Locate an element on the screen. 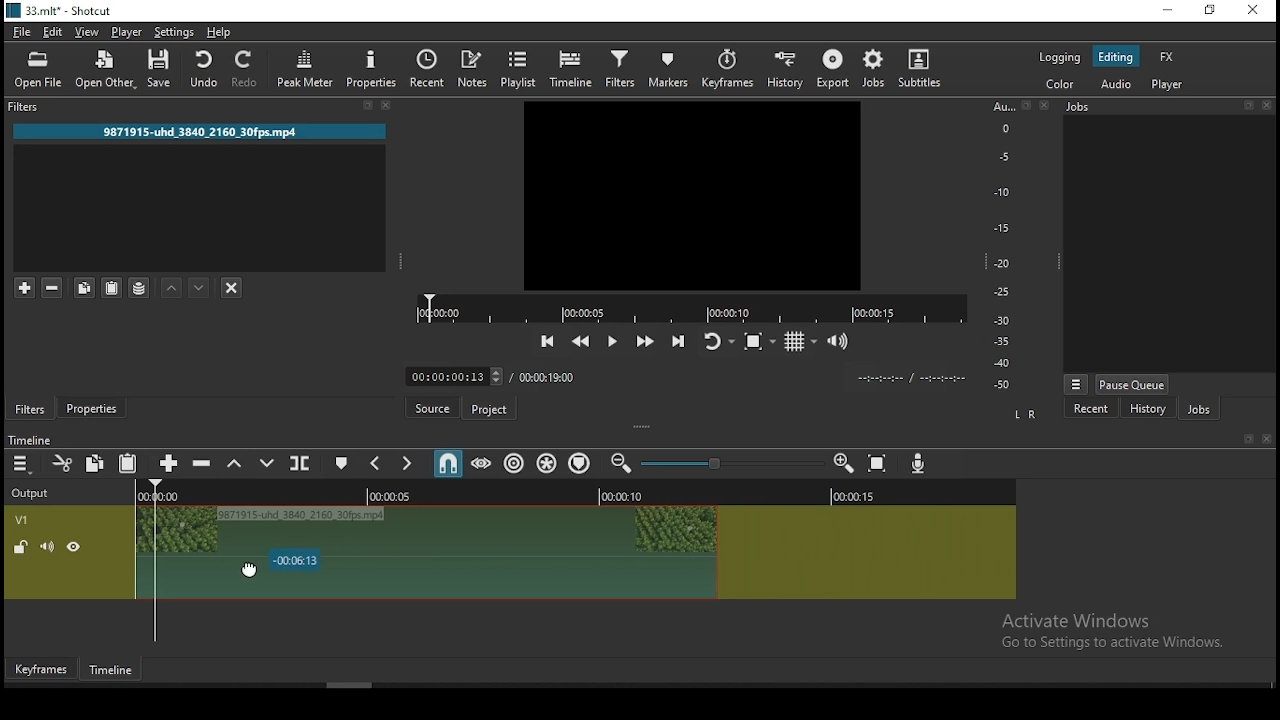 This screenshot has height=720, width=1280. play quickly forward is located at coordinates (647, 339).